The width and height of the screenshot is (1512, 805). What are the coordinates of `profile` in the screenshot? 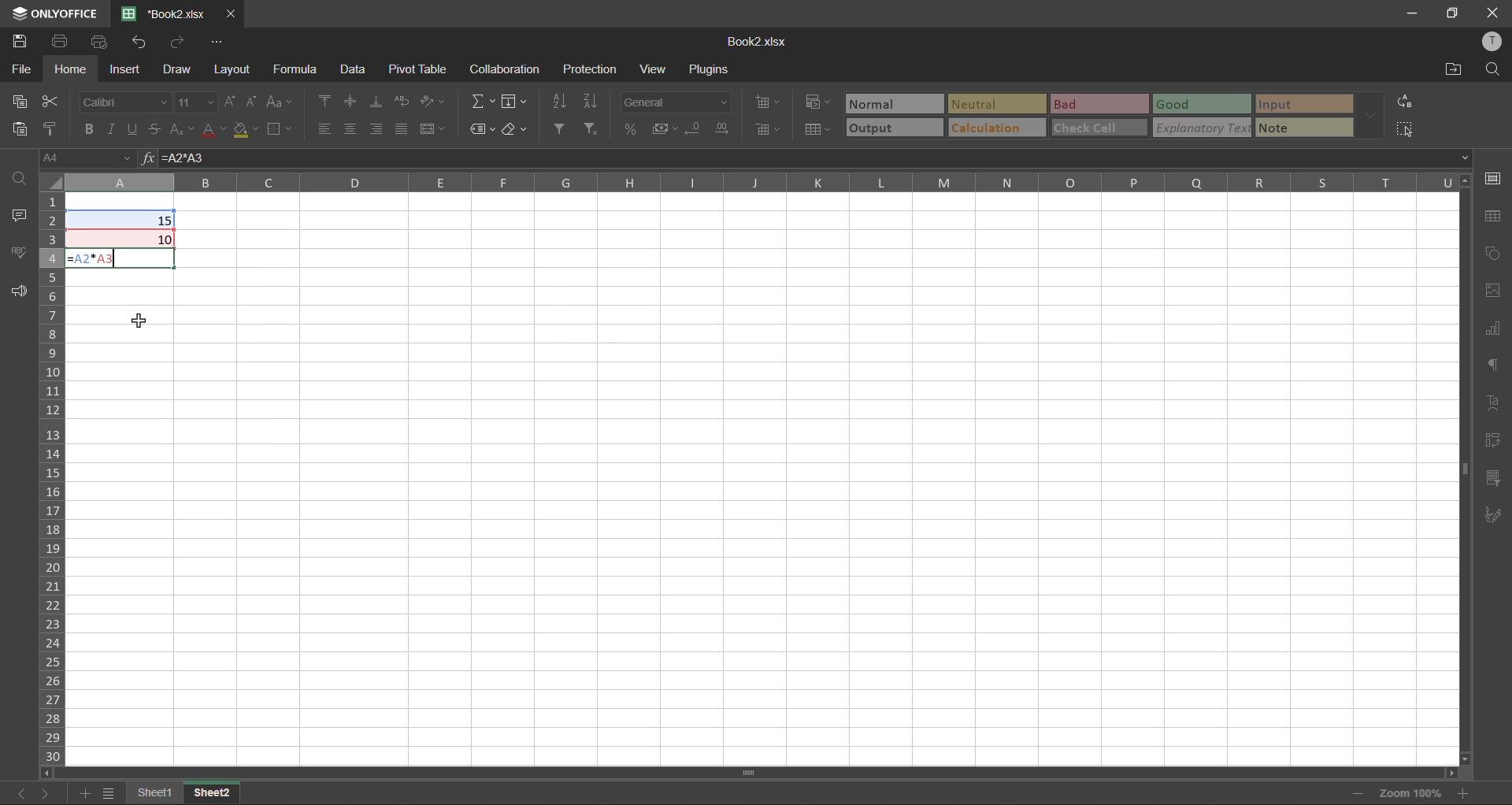 It's located at (1495, 46).